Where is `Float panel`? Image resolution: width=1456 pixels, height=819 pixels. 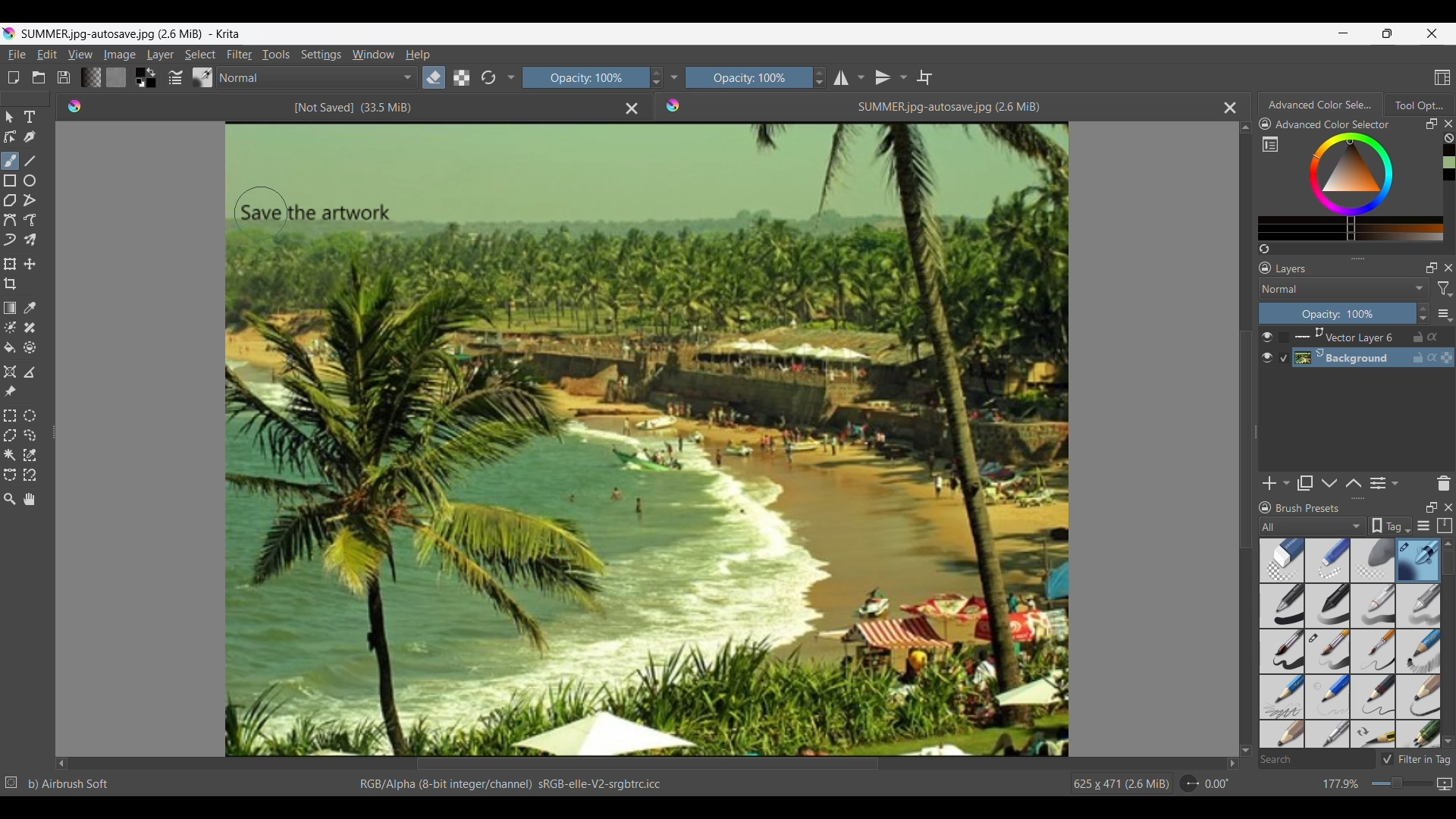
Float panel is located at coordinates (1429, 508).